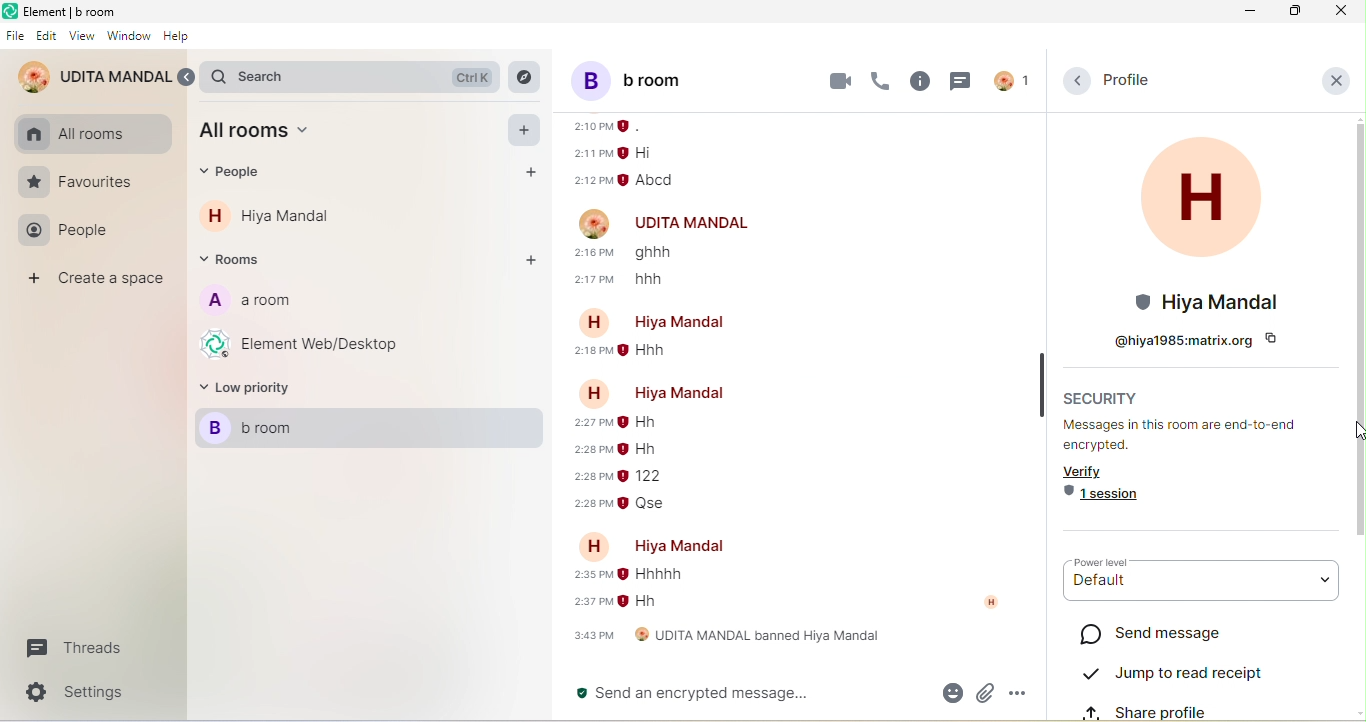 The height and width of the screenshot is (722, 1366). I want to click on settings, so click(85, 692).